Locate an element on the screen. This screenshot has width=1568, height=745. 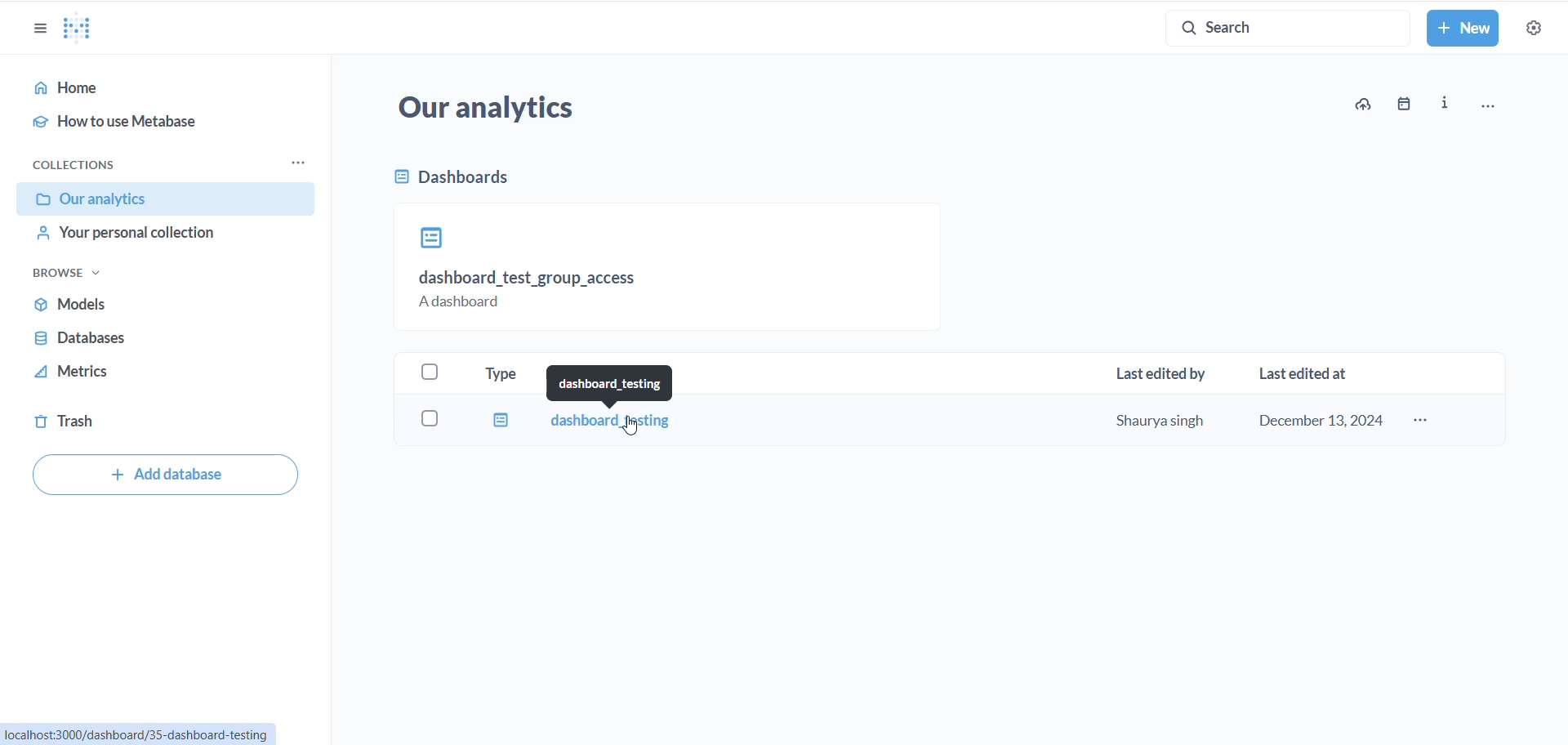
trash is located at coordinates (105, 422).